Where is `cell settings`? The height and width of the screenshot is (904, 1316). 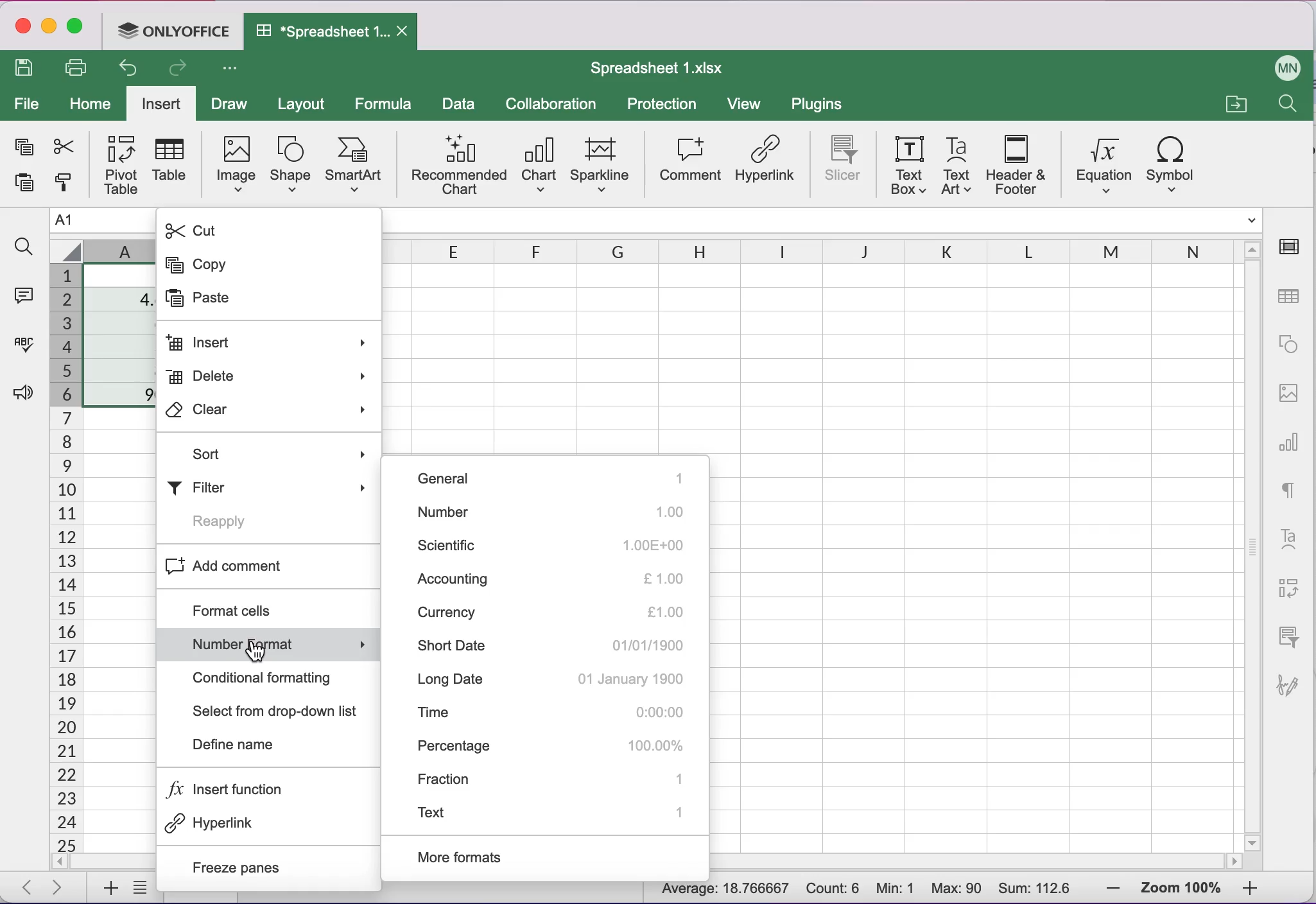 cell settings is located at coordinates (1292, 248).